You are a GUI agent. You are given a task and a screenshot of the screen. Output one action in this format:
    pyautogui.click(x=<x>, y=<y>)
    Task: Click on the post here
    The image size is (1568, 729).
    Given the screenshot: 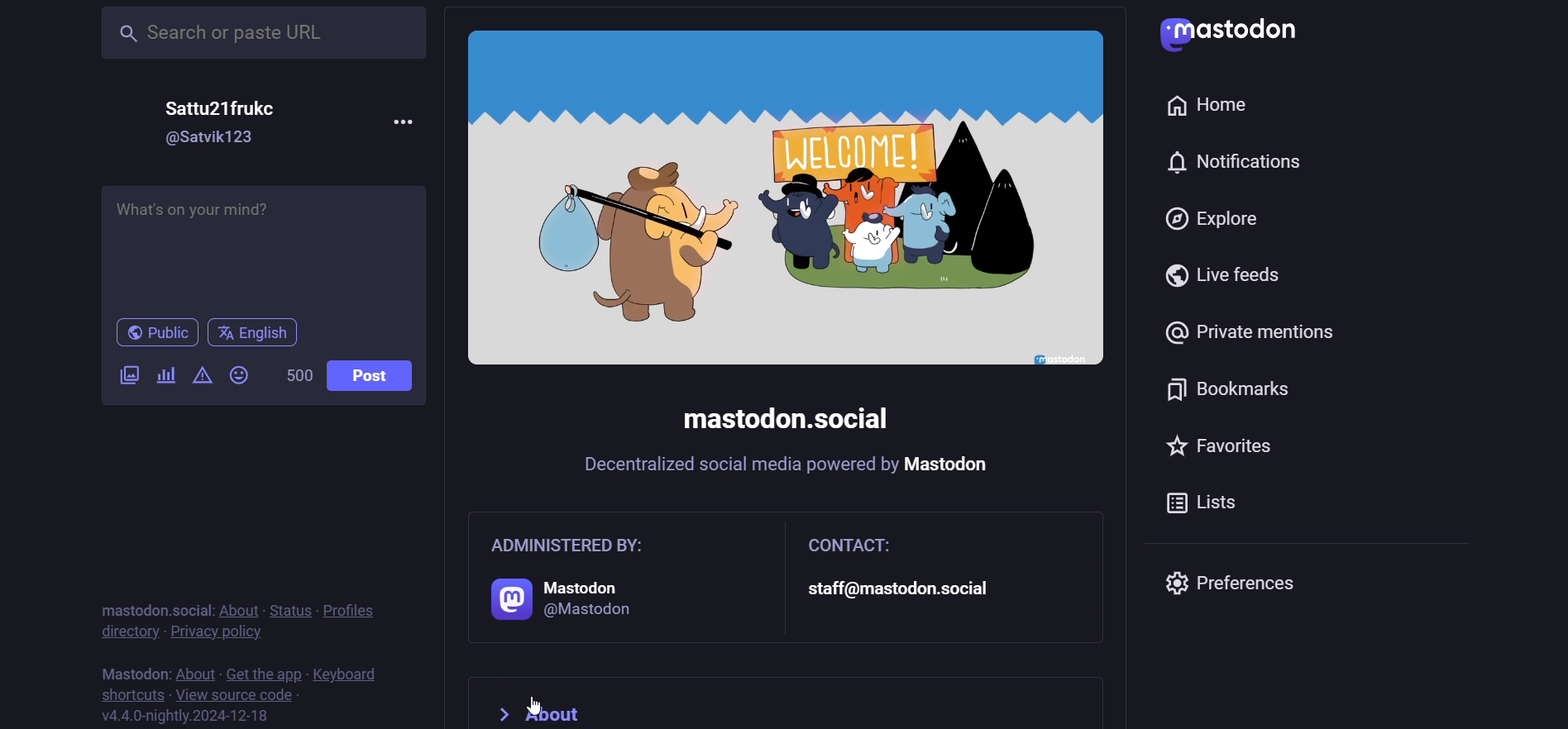 What is the action you would take?
    pyautogui.click(x=261, y=243)
    